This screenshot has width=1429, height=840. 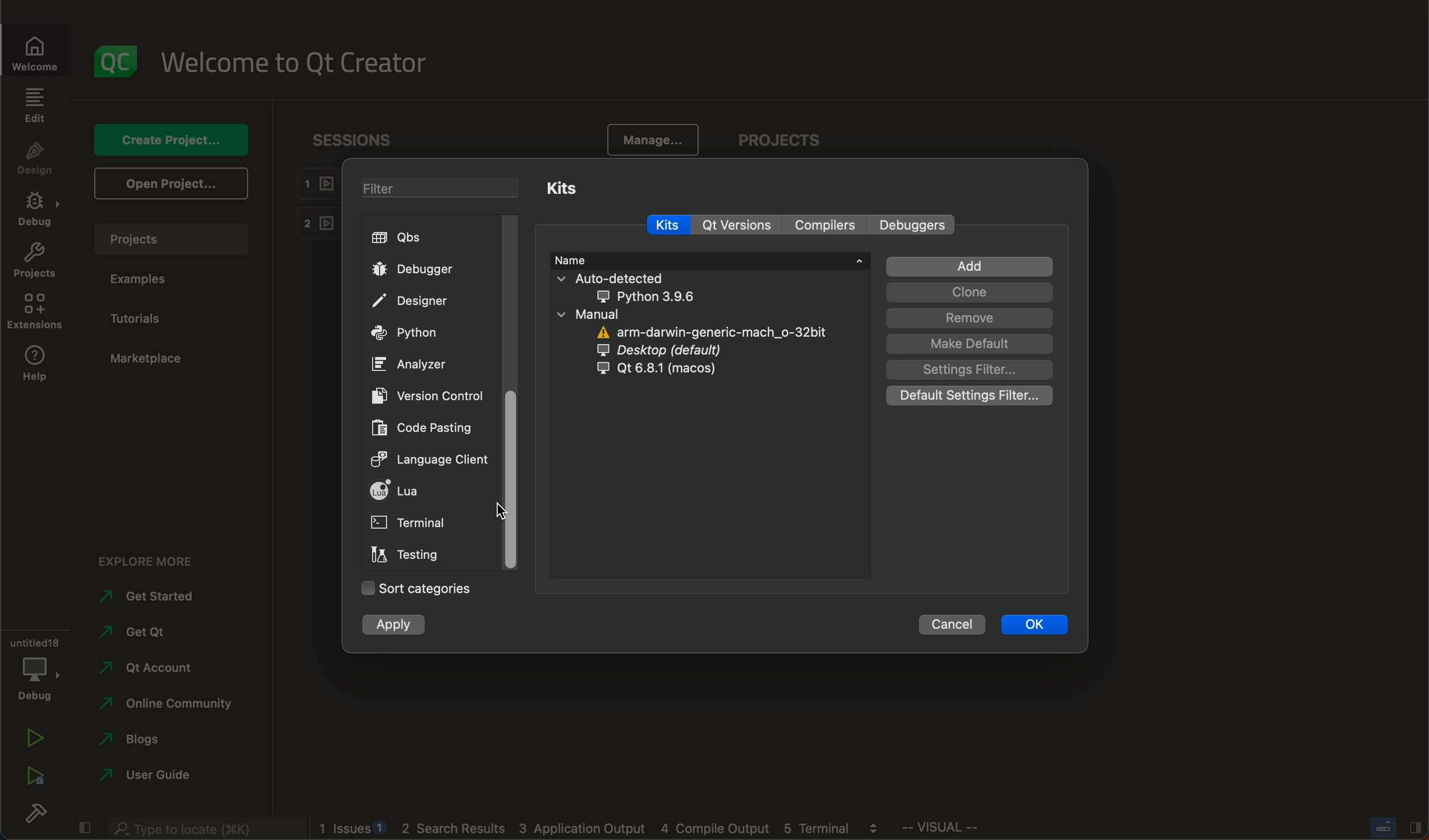 What do you see at coordinates (970, 292) in the screenshot?
I see `clone` at bounding box center [970, 292].